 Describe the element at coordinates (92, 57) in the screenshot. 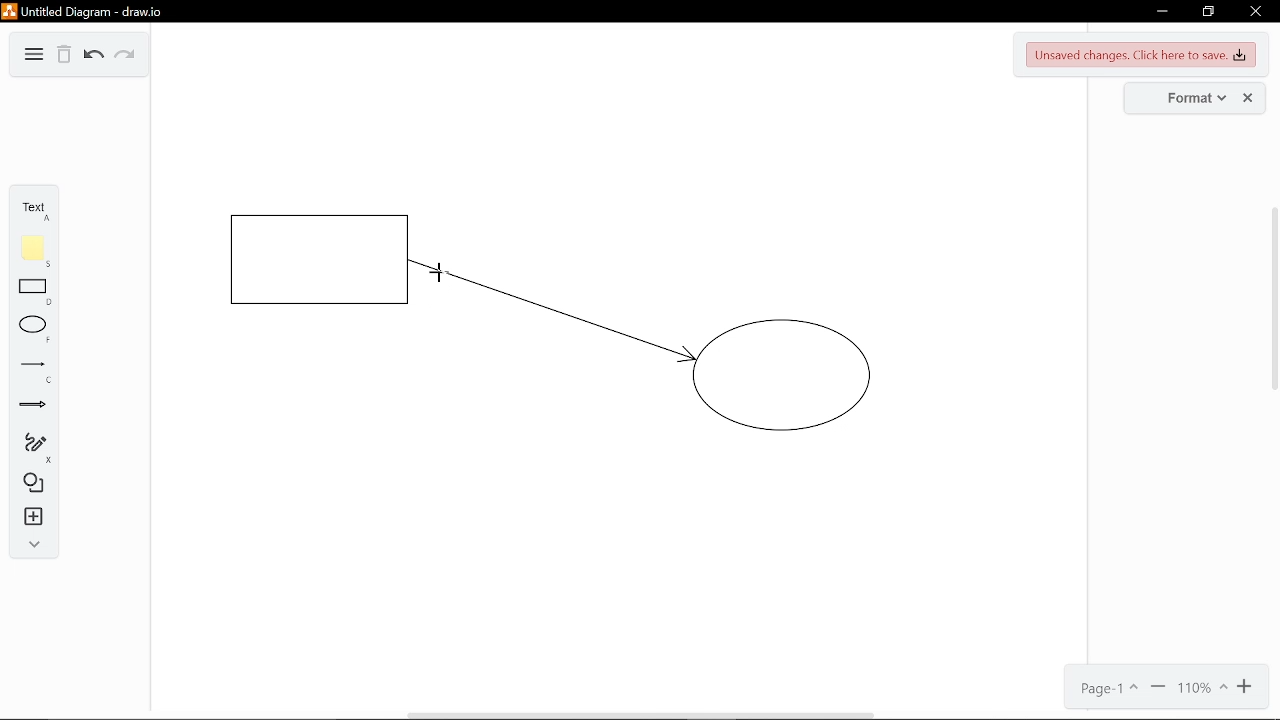

I see `Undo` at that location.